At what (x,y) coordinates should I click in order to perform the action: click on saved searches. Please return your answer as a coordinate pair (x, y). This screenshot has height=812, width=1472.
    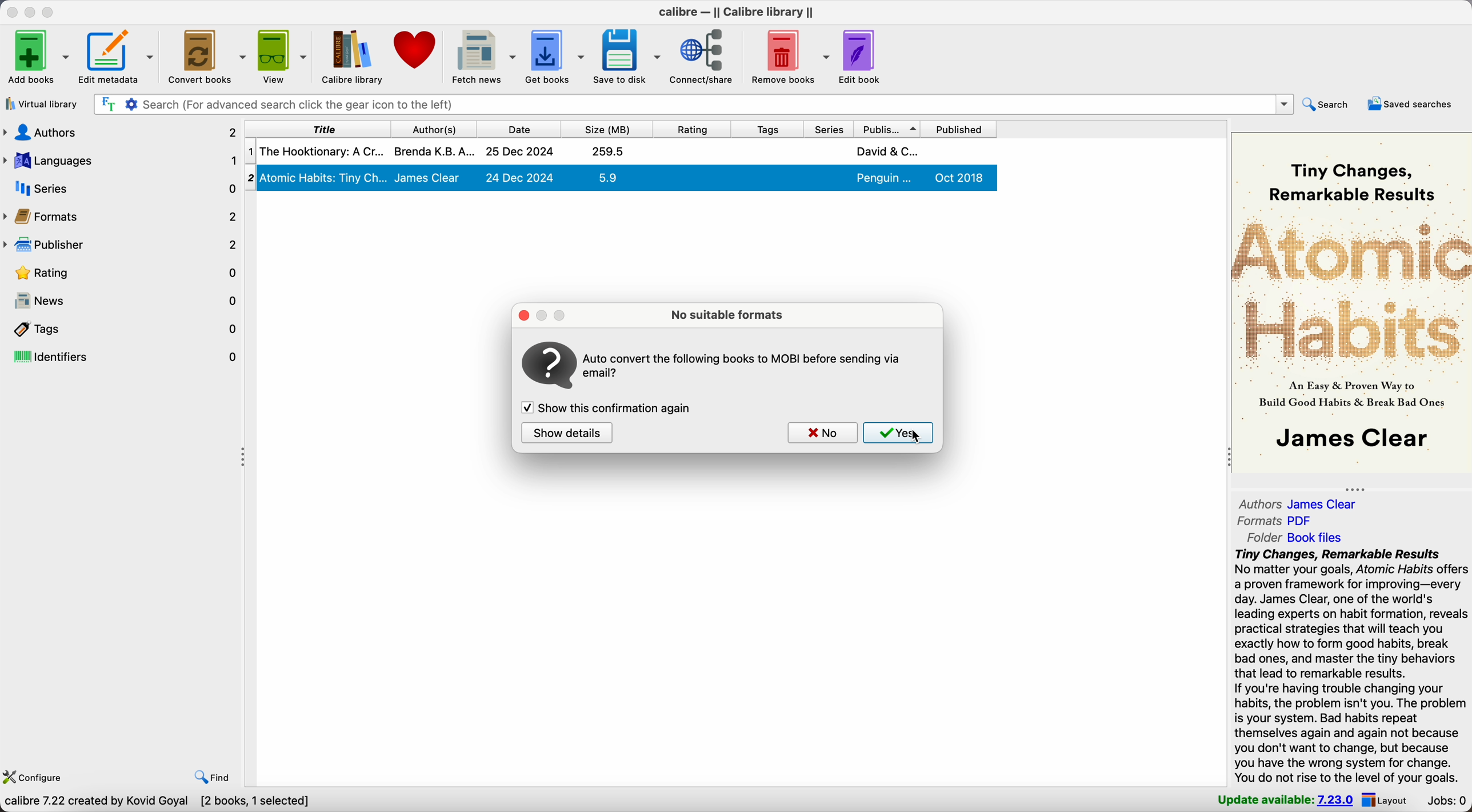
    Looking at the image, I should click on (1411, 105).